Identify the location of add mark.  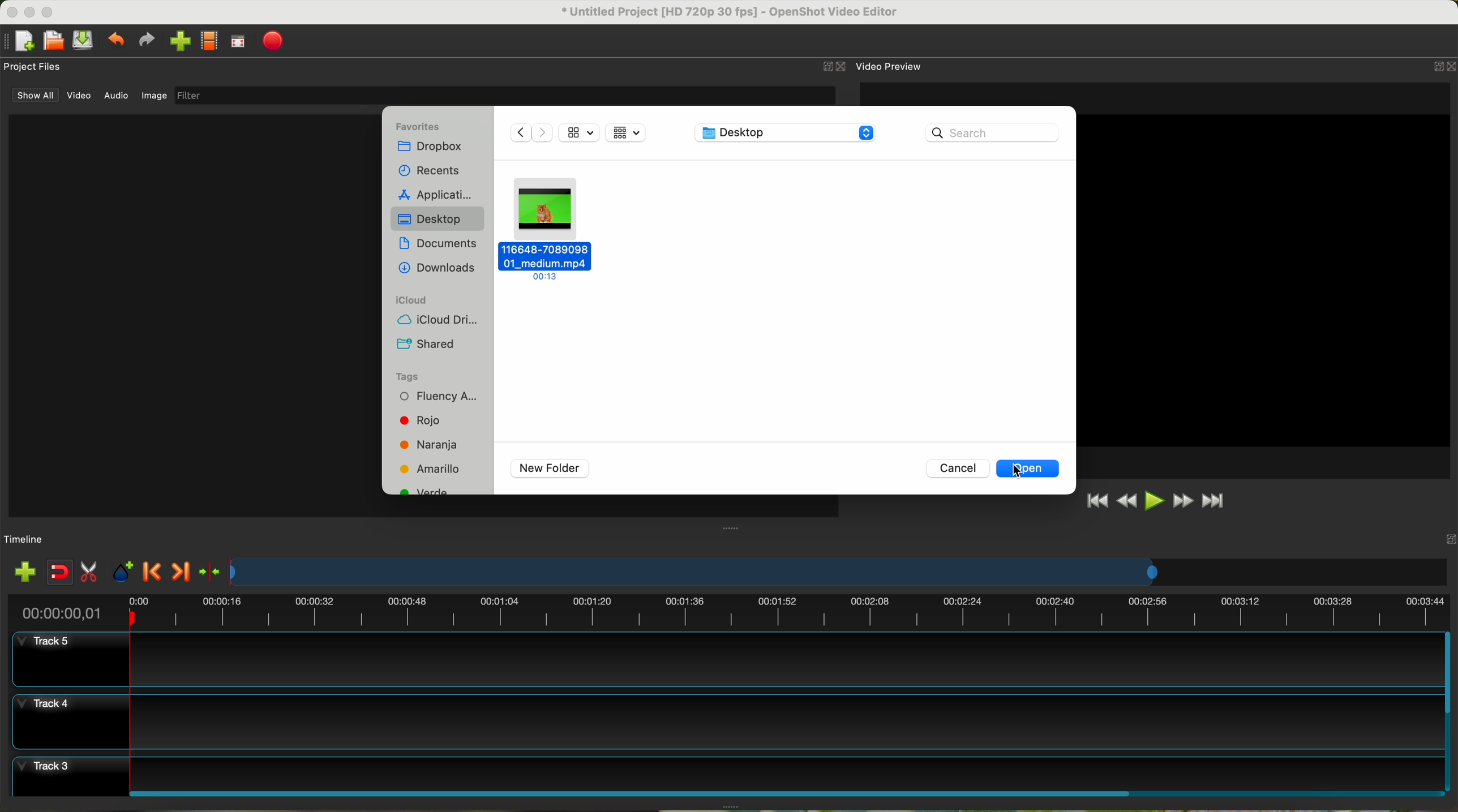
(123, 572).